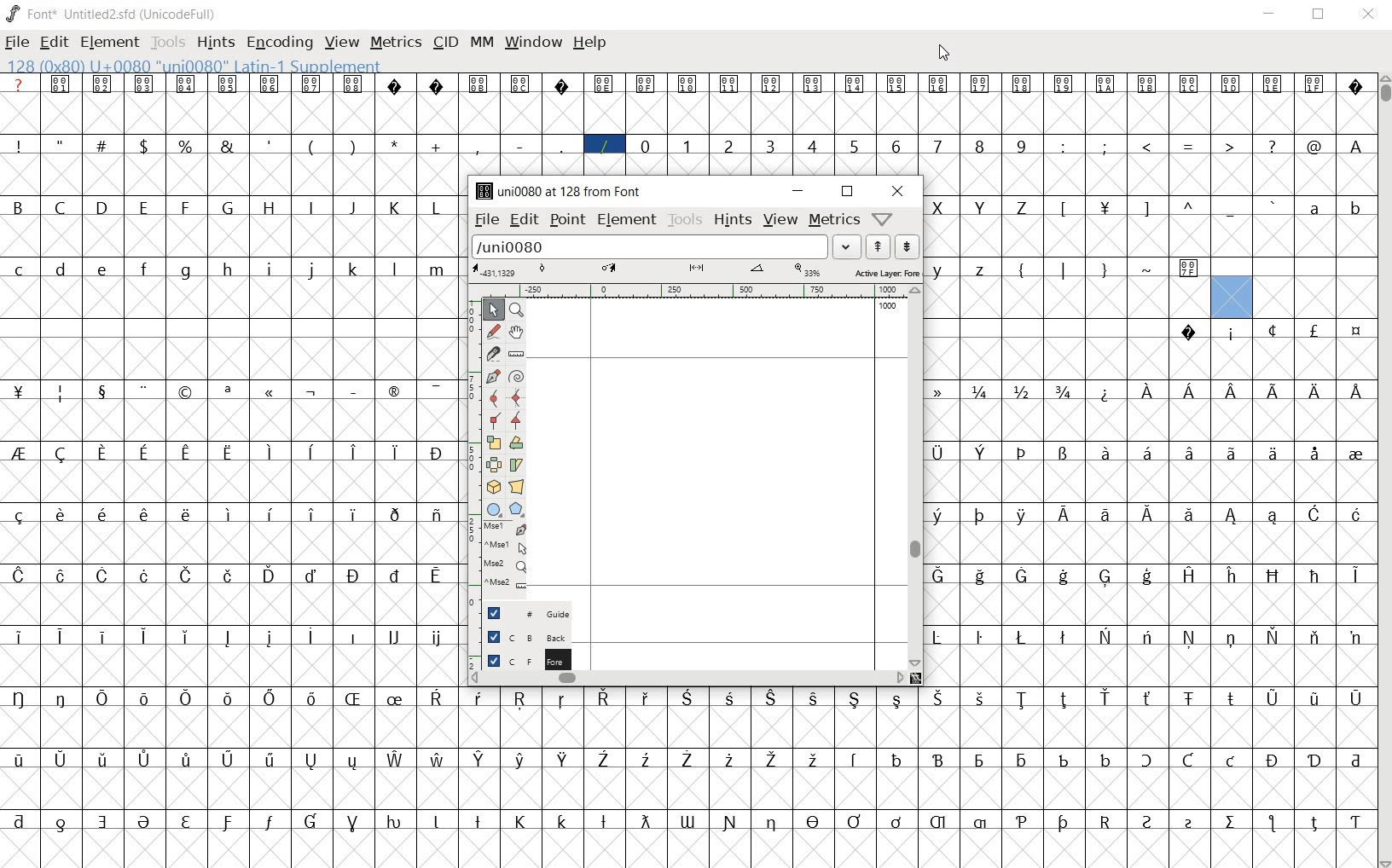  What do you see at coordinates (1272, 146) in the screenshot?
I see `glyph` at bounding box center [1272, 146].